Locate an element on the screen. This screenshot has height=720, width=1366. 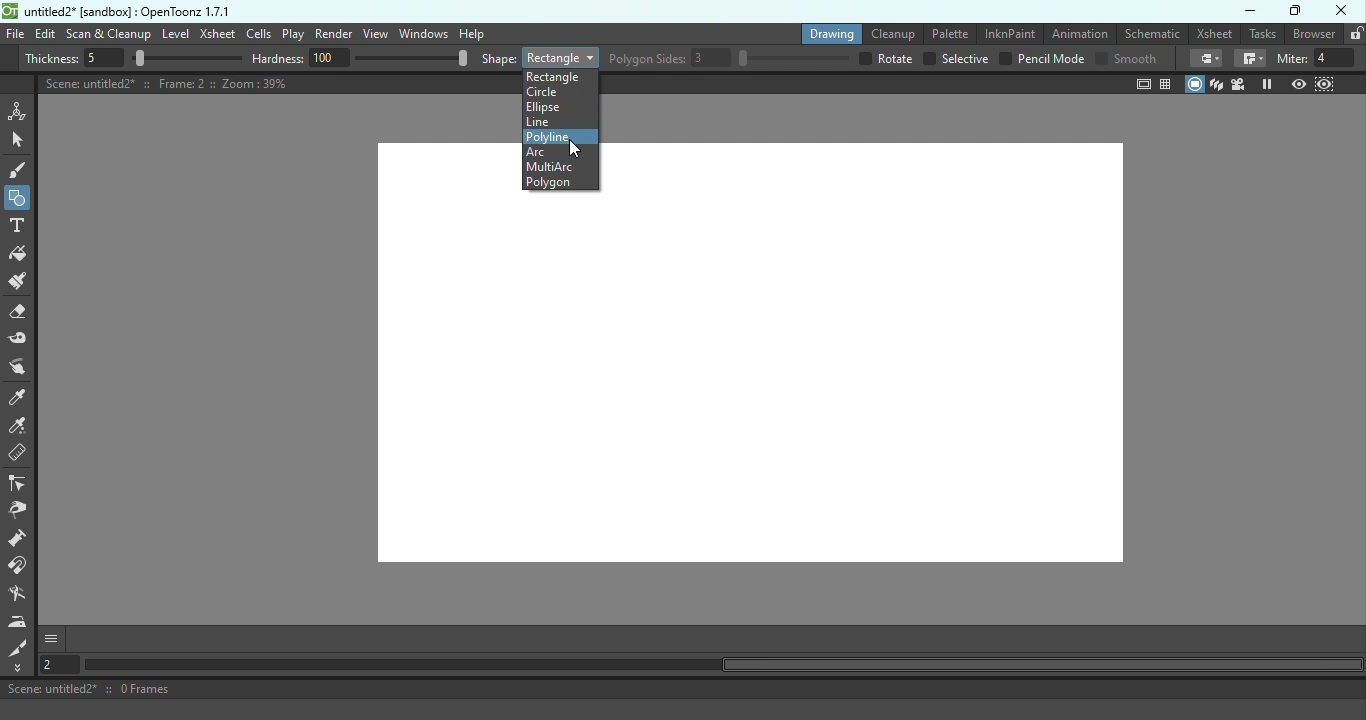
Xsheet is located at coordinates (1214, 33).